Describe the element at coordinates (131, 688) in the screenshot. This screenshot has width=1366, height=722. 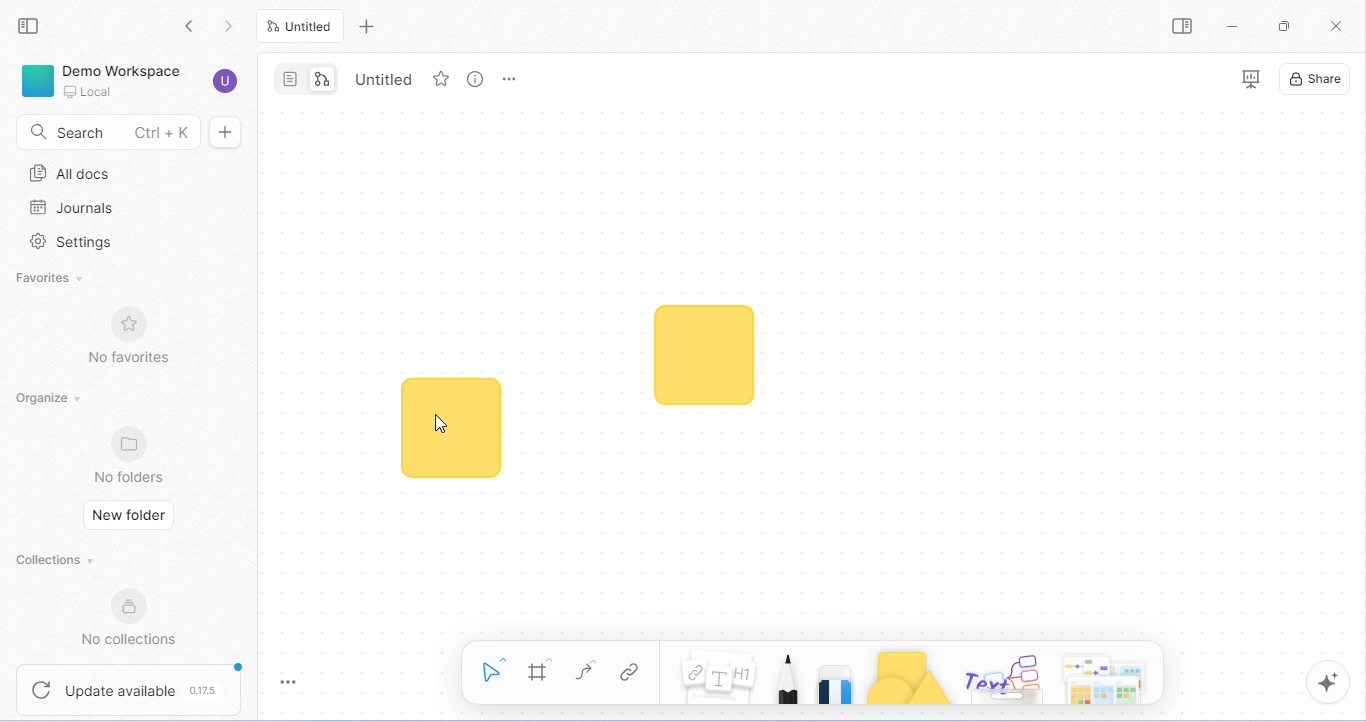
I see `update available` at that location.